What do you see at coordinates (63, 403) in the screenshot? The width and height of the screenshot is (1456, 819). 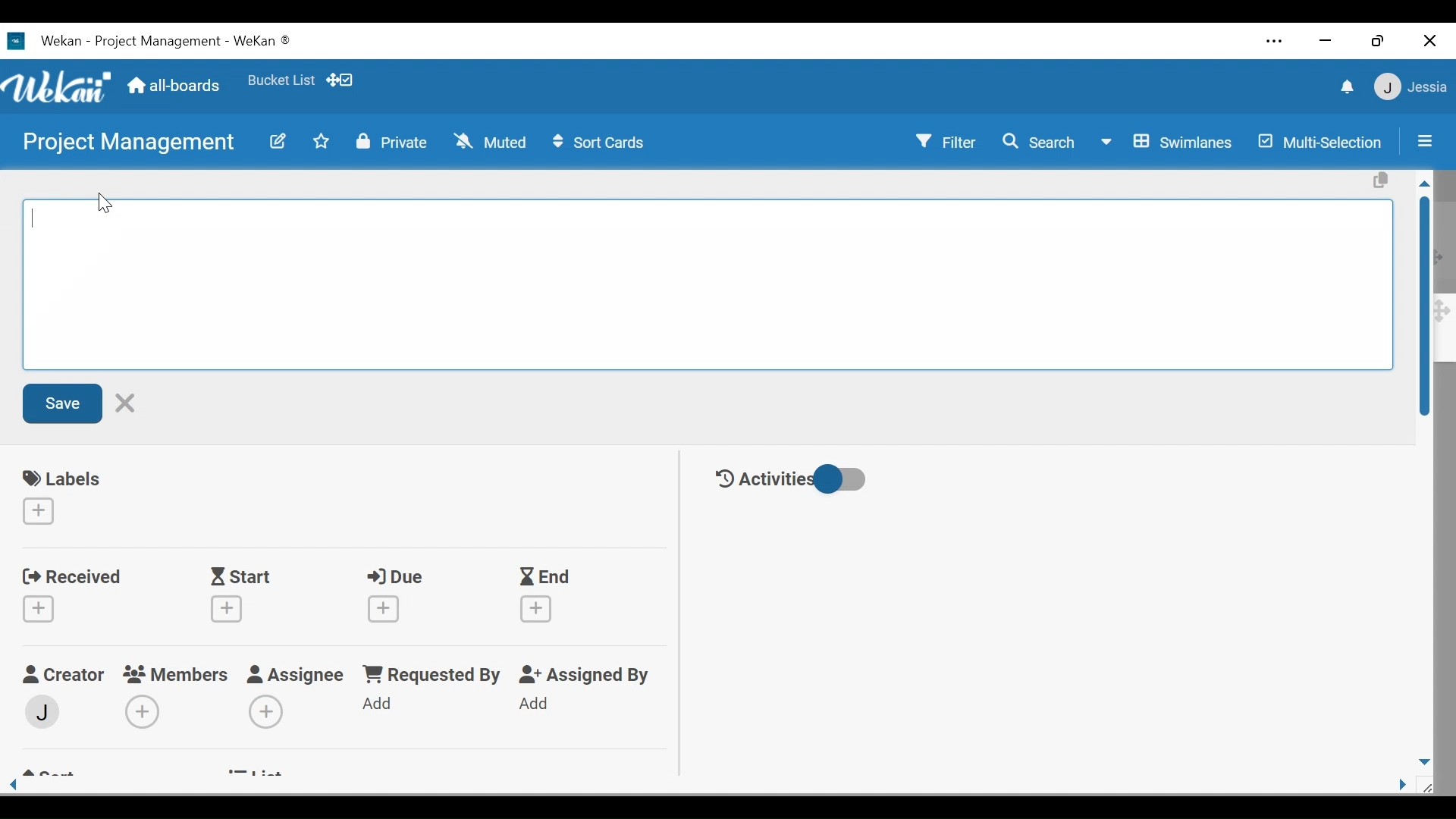 I see `Save` at bounding box center [63, 403].